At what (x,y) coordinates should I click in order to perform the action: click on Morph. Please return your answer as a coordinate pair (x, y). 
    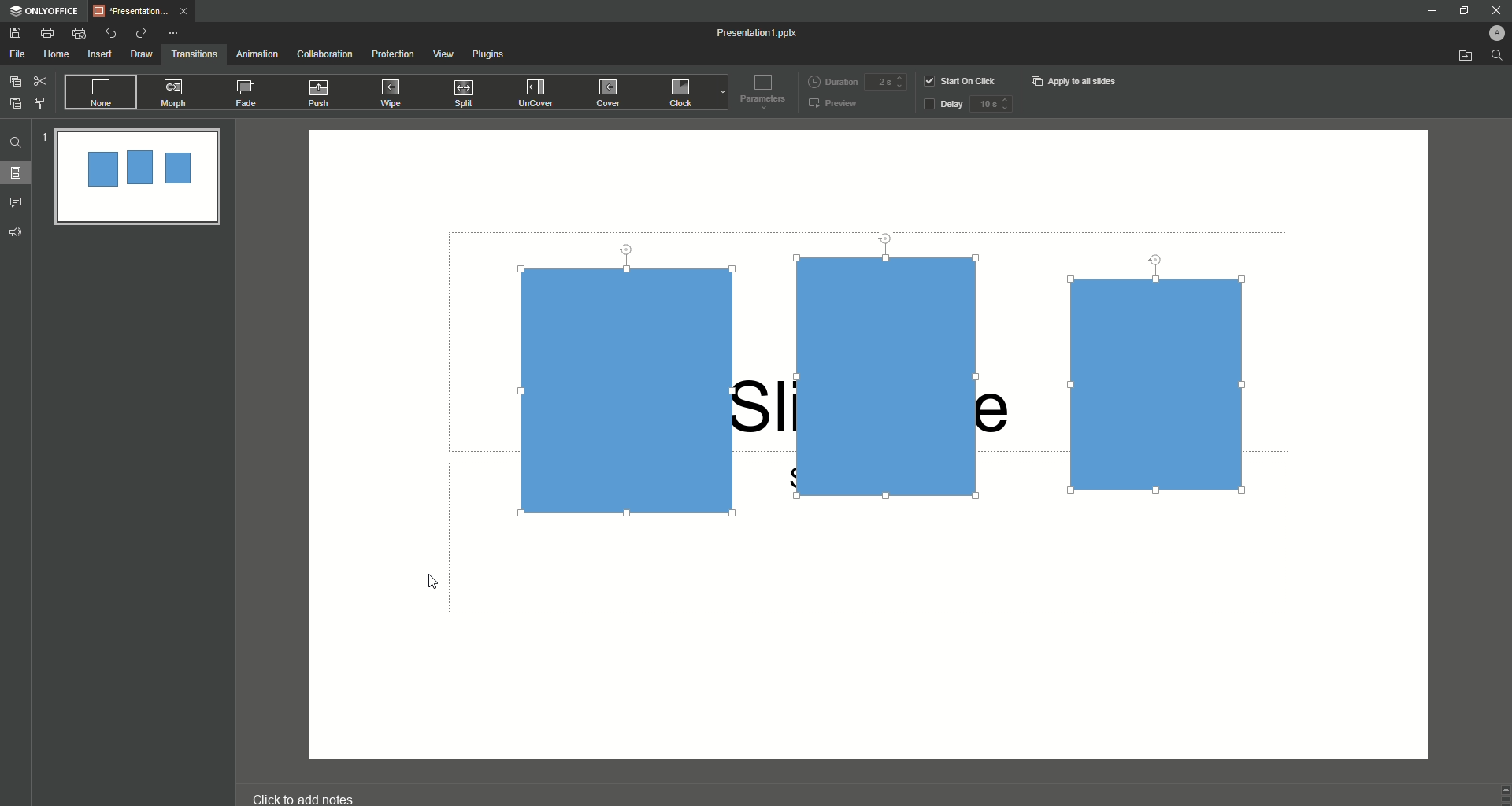
    Looking at the image, I should click on (176, 93).